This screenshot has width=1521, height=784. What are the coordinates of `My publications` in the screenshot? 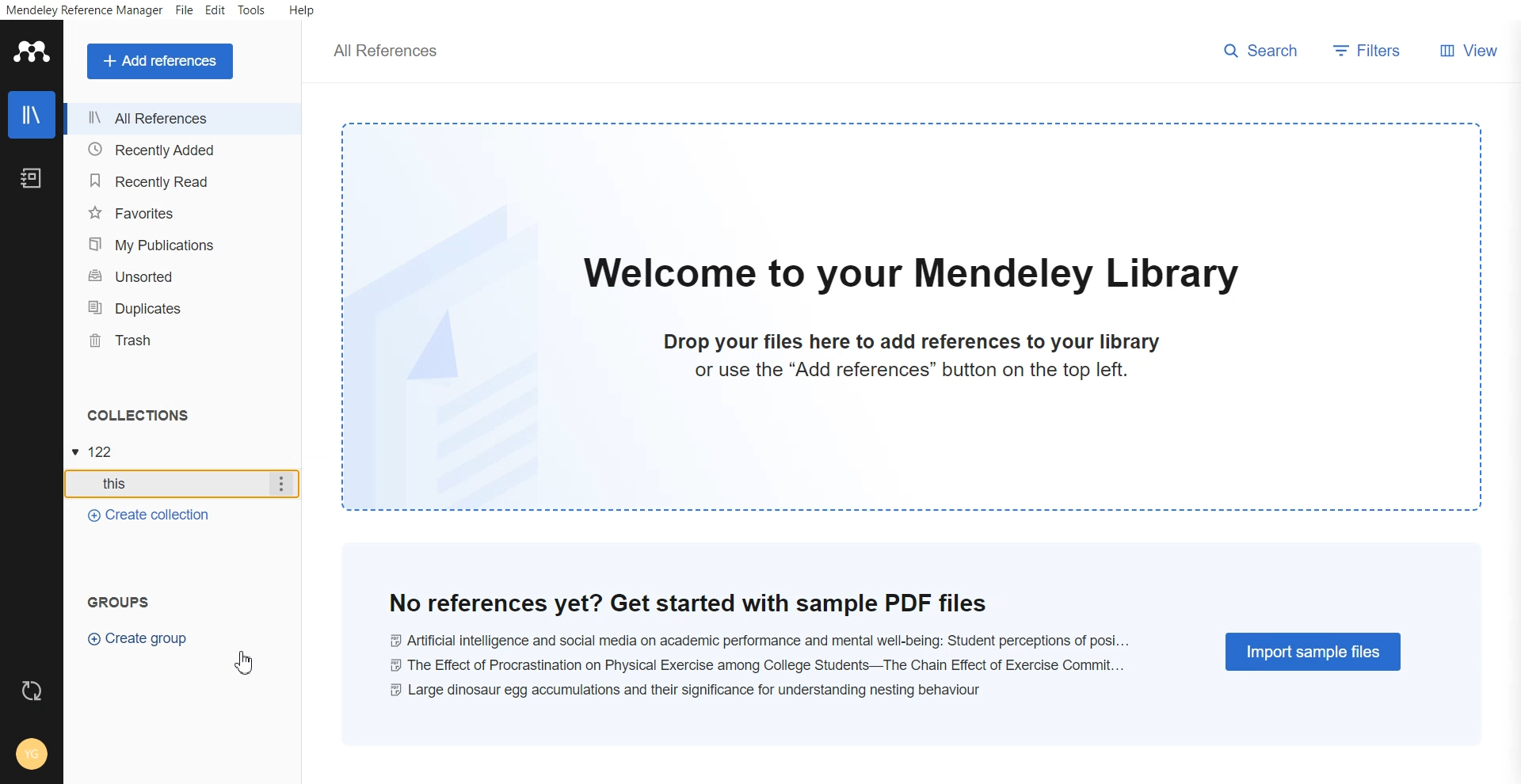 It's located at (182, 244).